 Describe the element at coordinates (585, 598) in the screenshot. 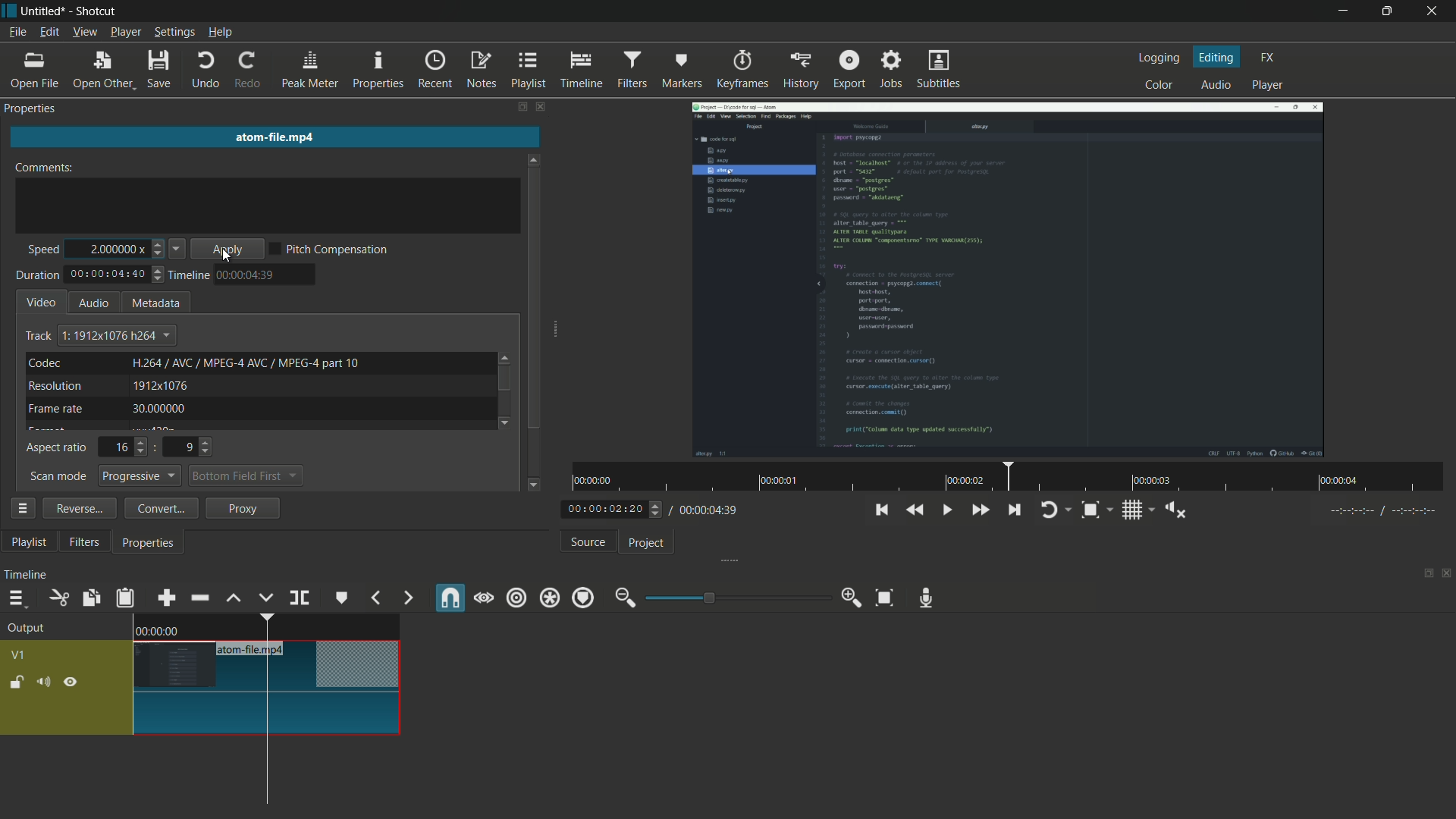

I see `ripple markers` at that location.